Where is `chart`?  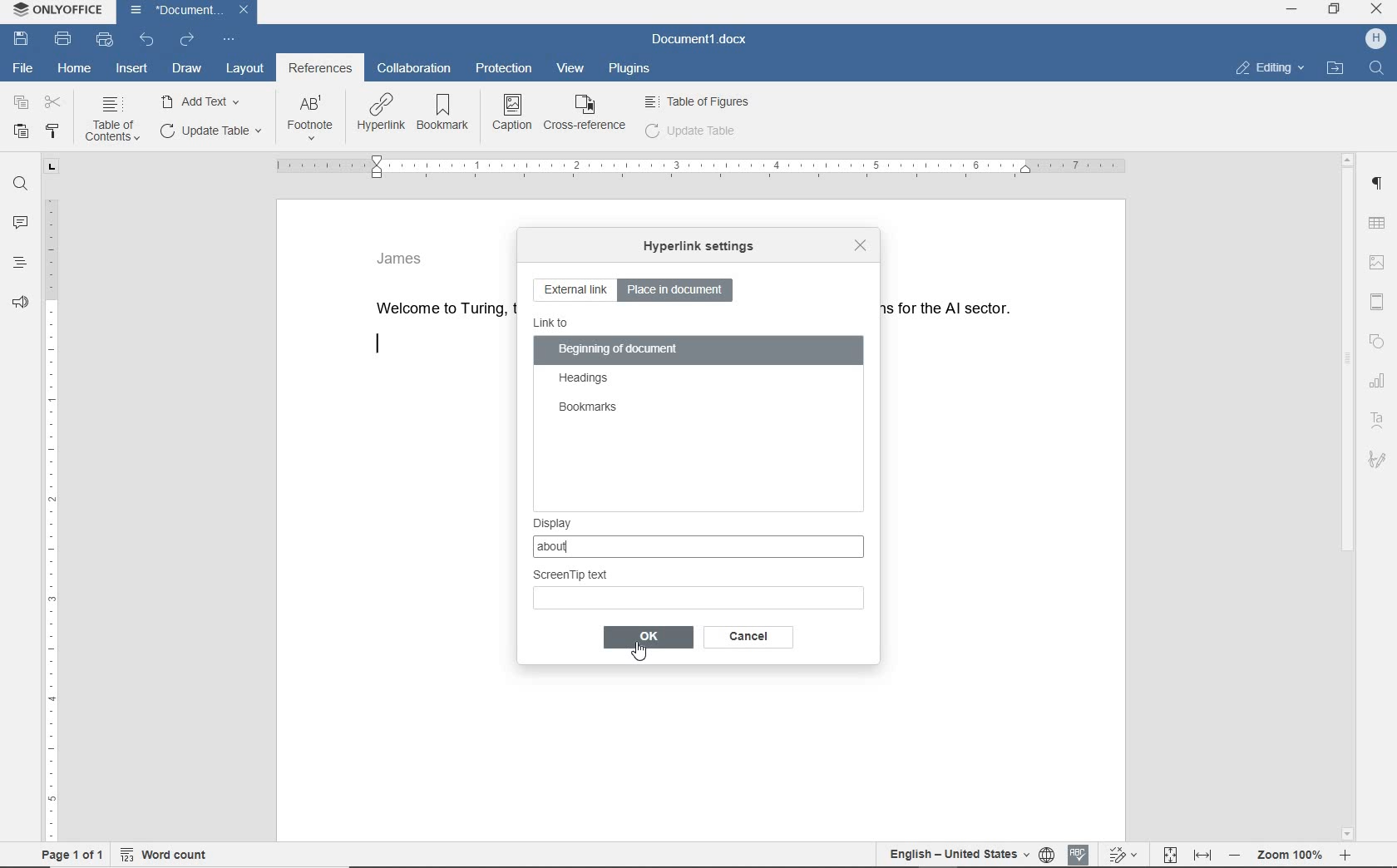 chart is located at coordinates (1379, 383).